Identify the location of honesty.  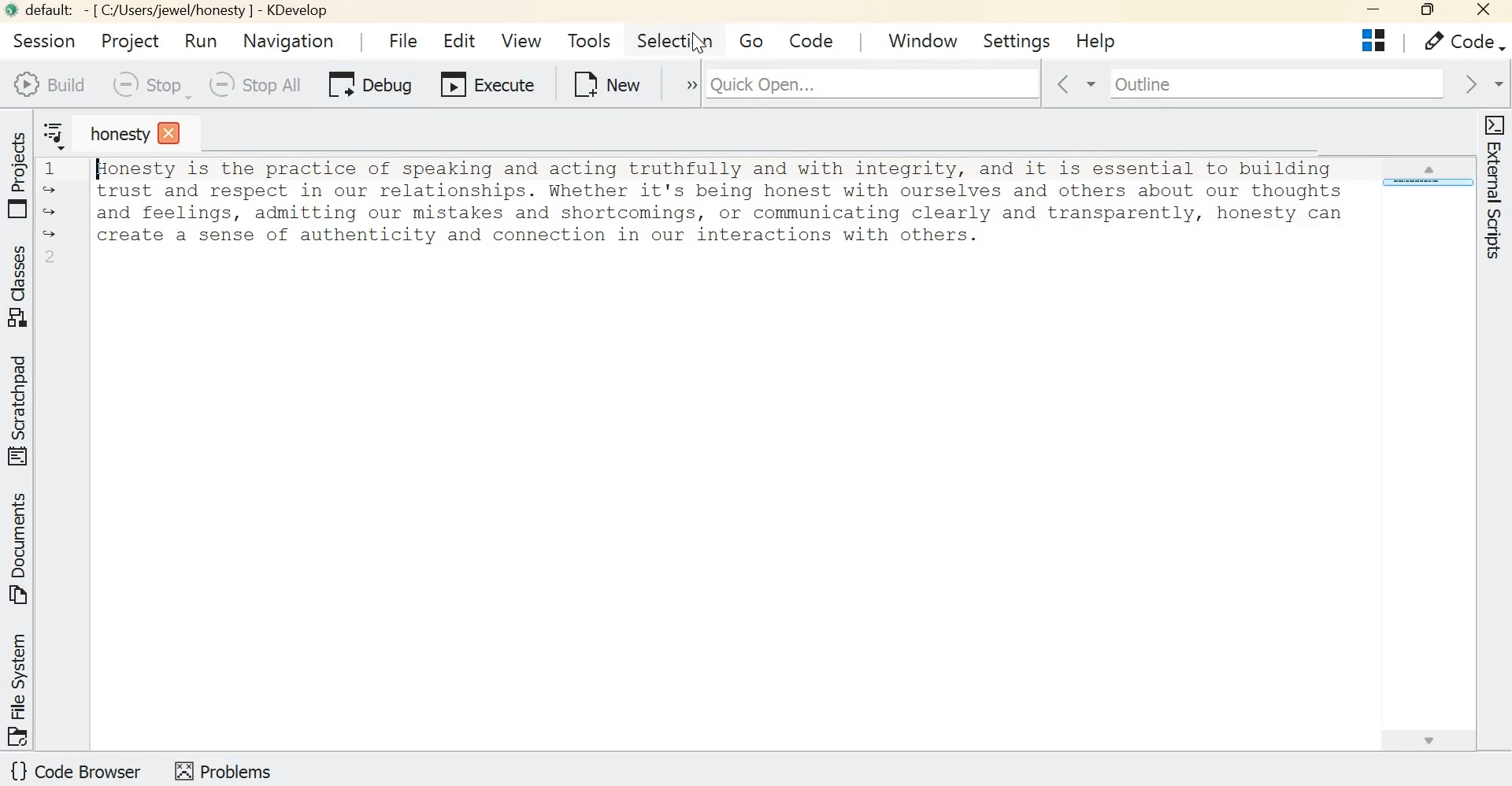
(134, 134).